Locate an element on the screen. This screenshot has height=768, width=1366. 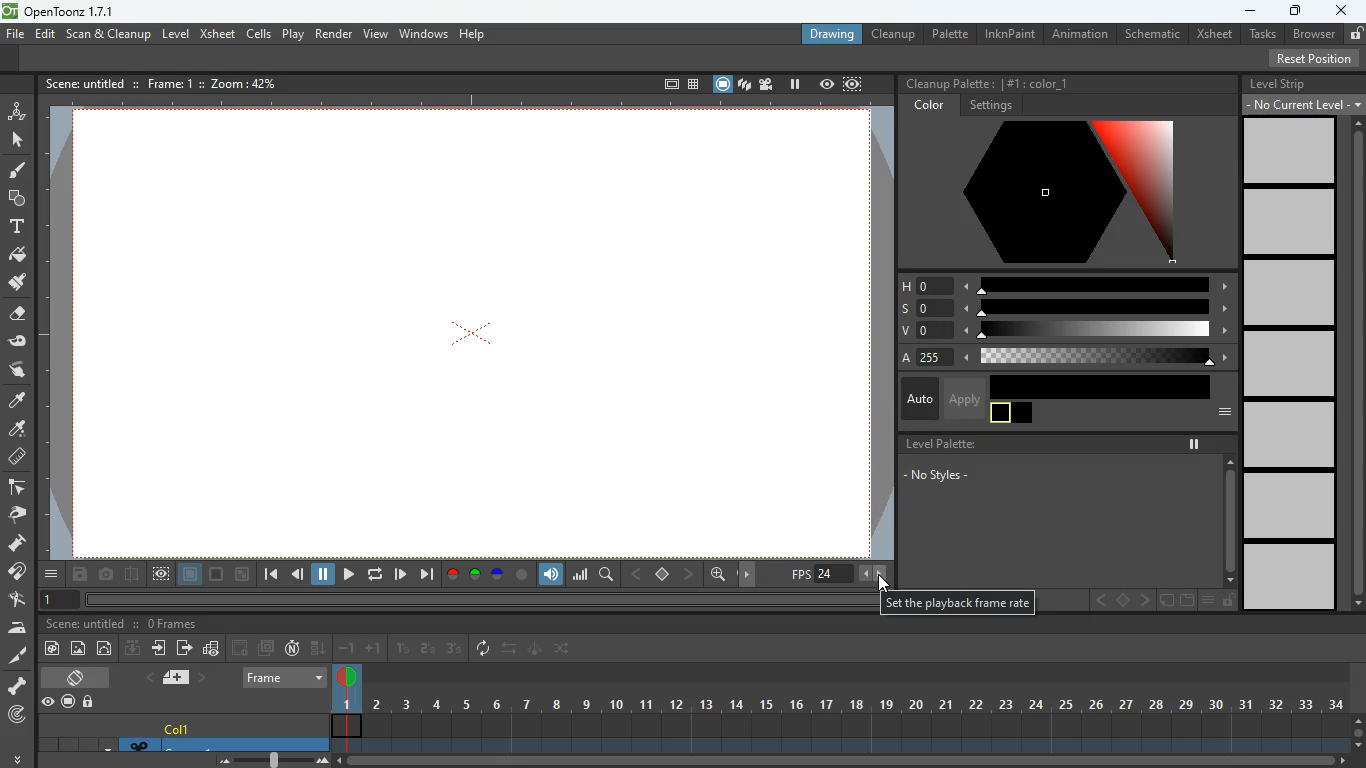
move is located at coordinates (749, 574).